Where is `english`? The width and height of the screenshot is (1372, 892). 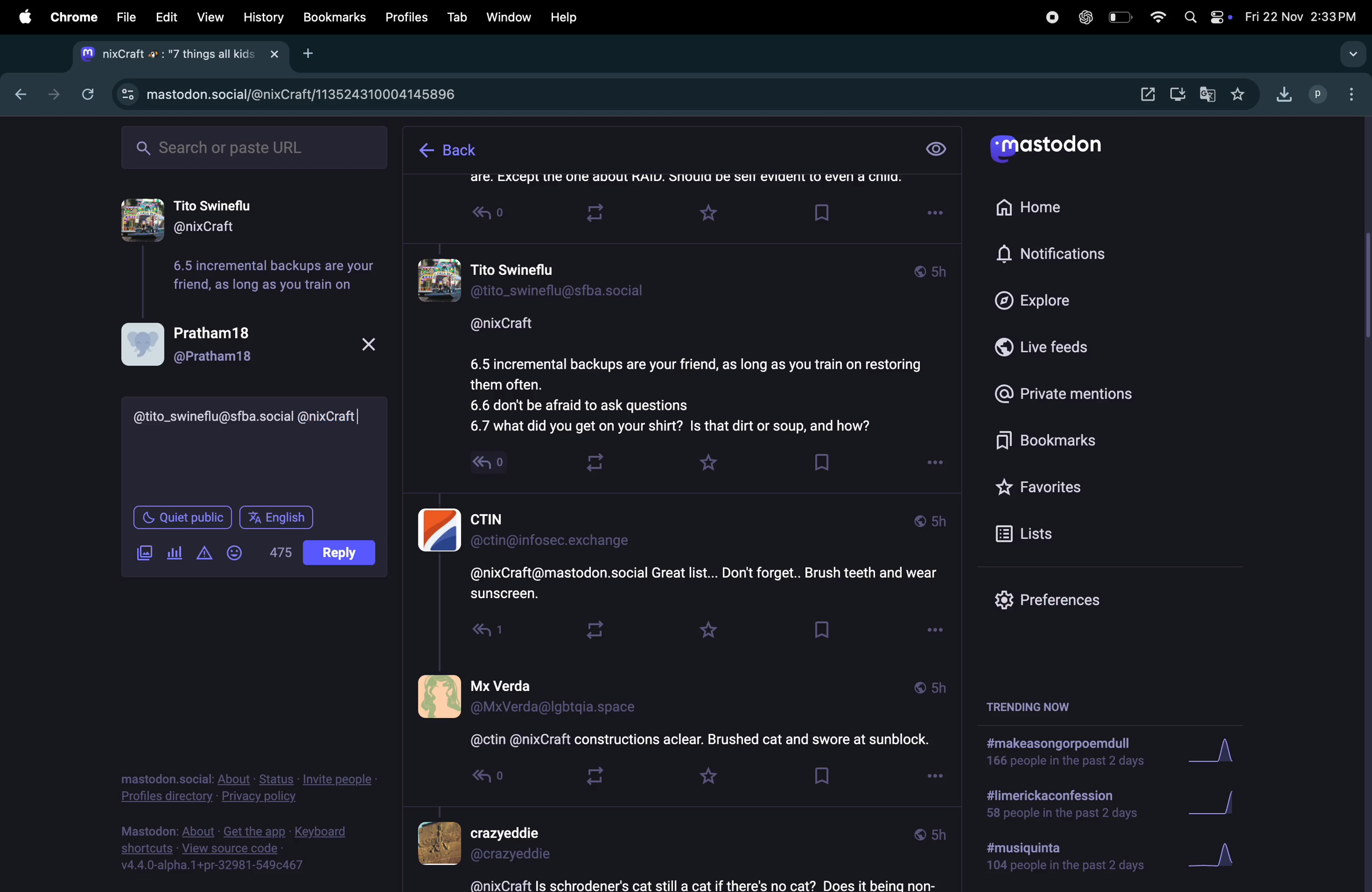
english is located at coordinates (277, 520).